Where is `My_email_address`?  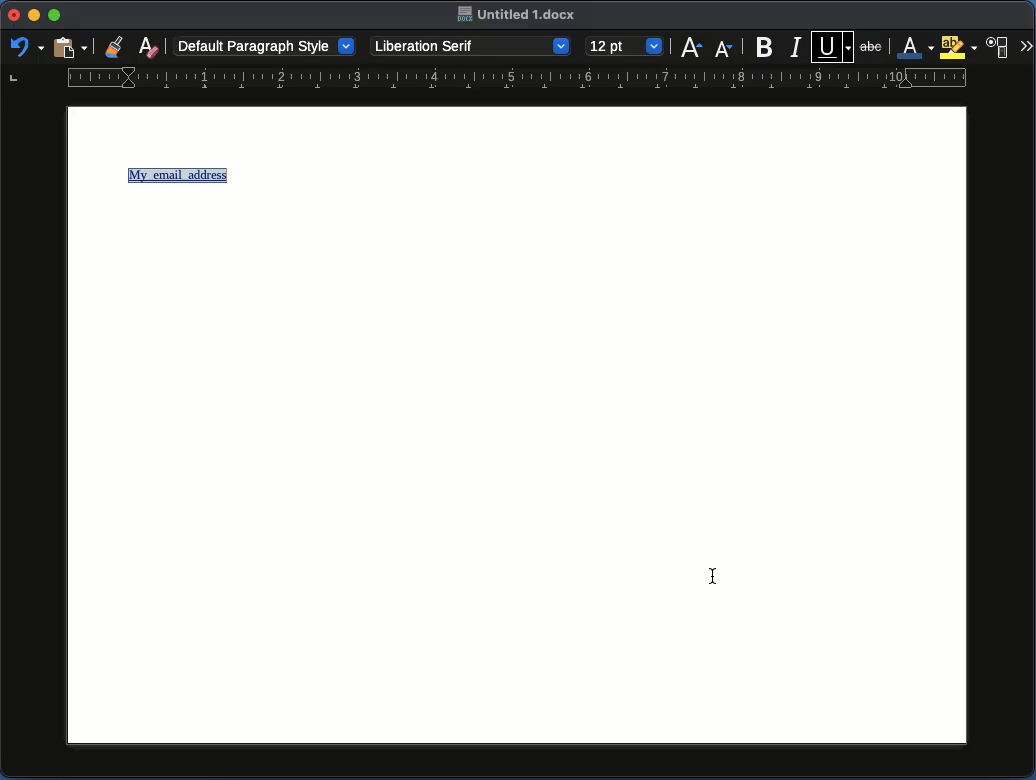
My_email_address is located at coordinates (180, 175).